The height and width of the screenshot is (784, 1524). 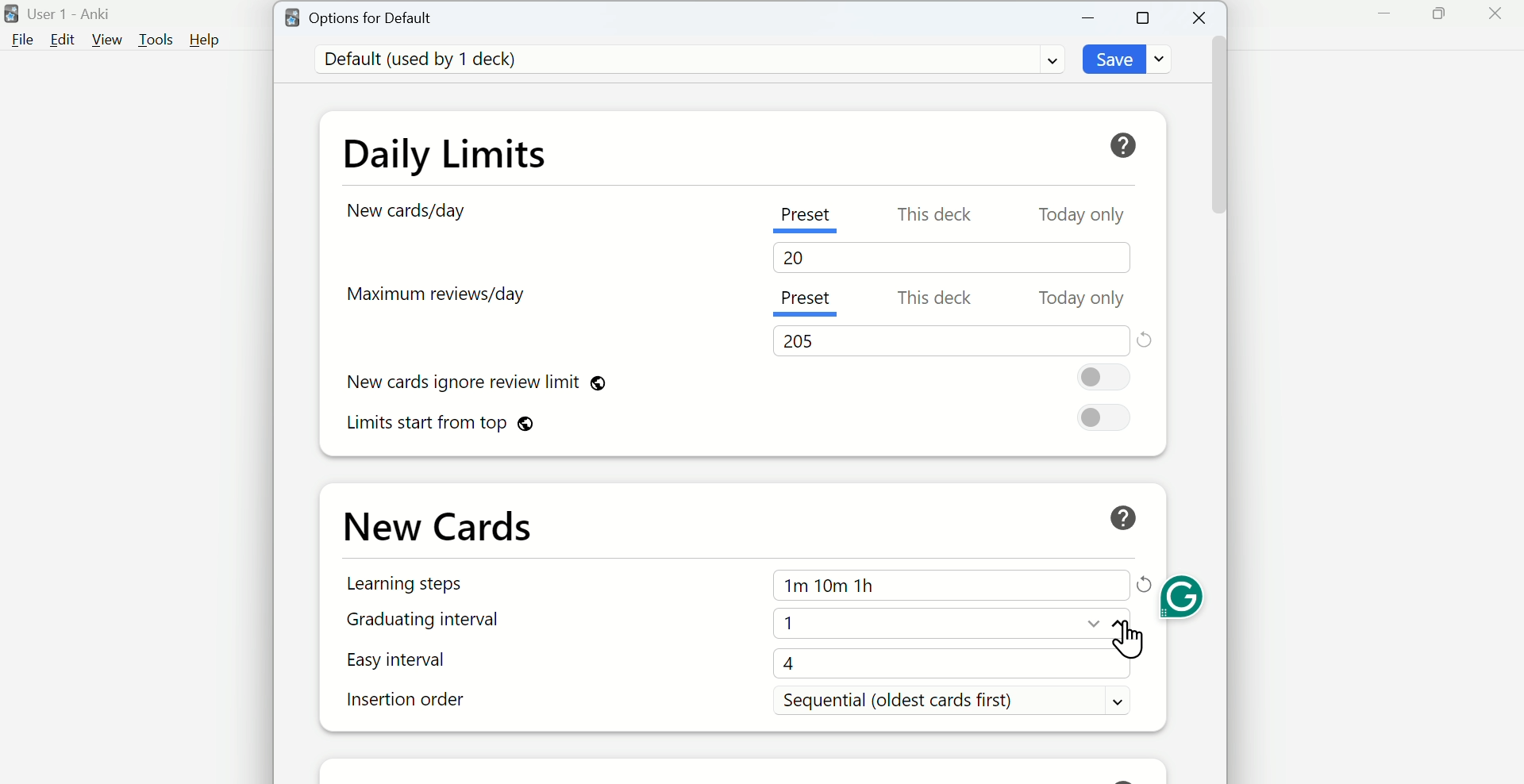 I want to click on Help, so click(x=1122, y=514).